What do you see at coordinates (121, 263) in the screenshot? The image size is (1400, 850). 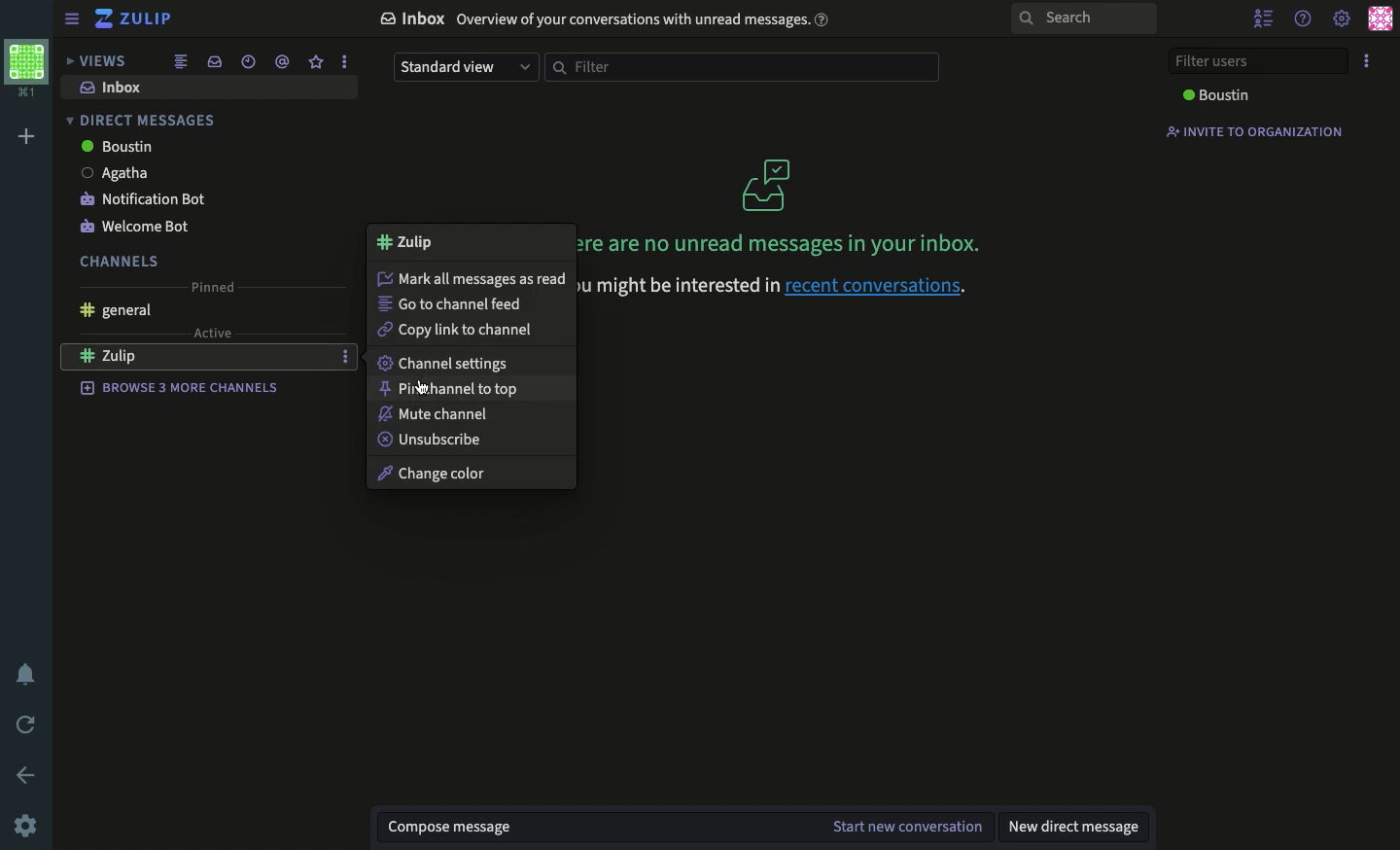 I see `channels` at bounding box center [121, 263].